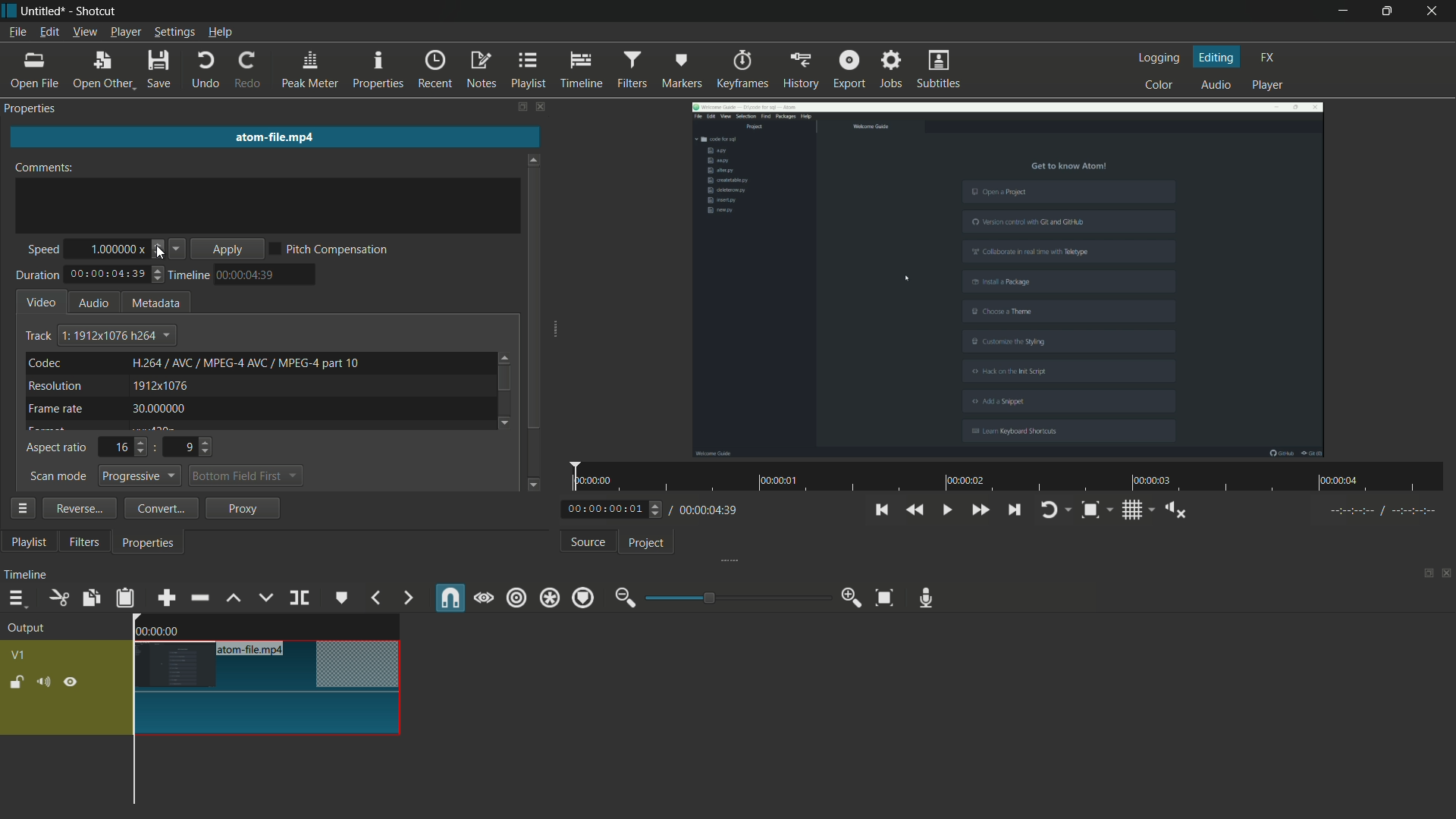 Image resolution: width=1456 pixels, height=819 pixels. What do you see at coordinates (301, 598) in the screenshot?
I see `split at playhead` at bounding box center [301, 598].